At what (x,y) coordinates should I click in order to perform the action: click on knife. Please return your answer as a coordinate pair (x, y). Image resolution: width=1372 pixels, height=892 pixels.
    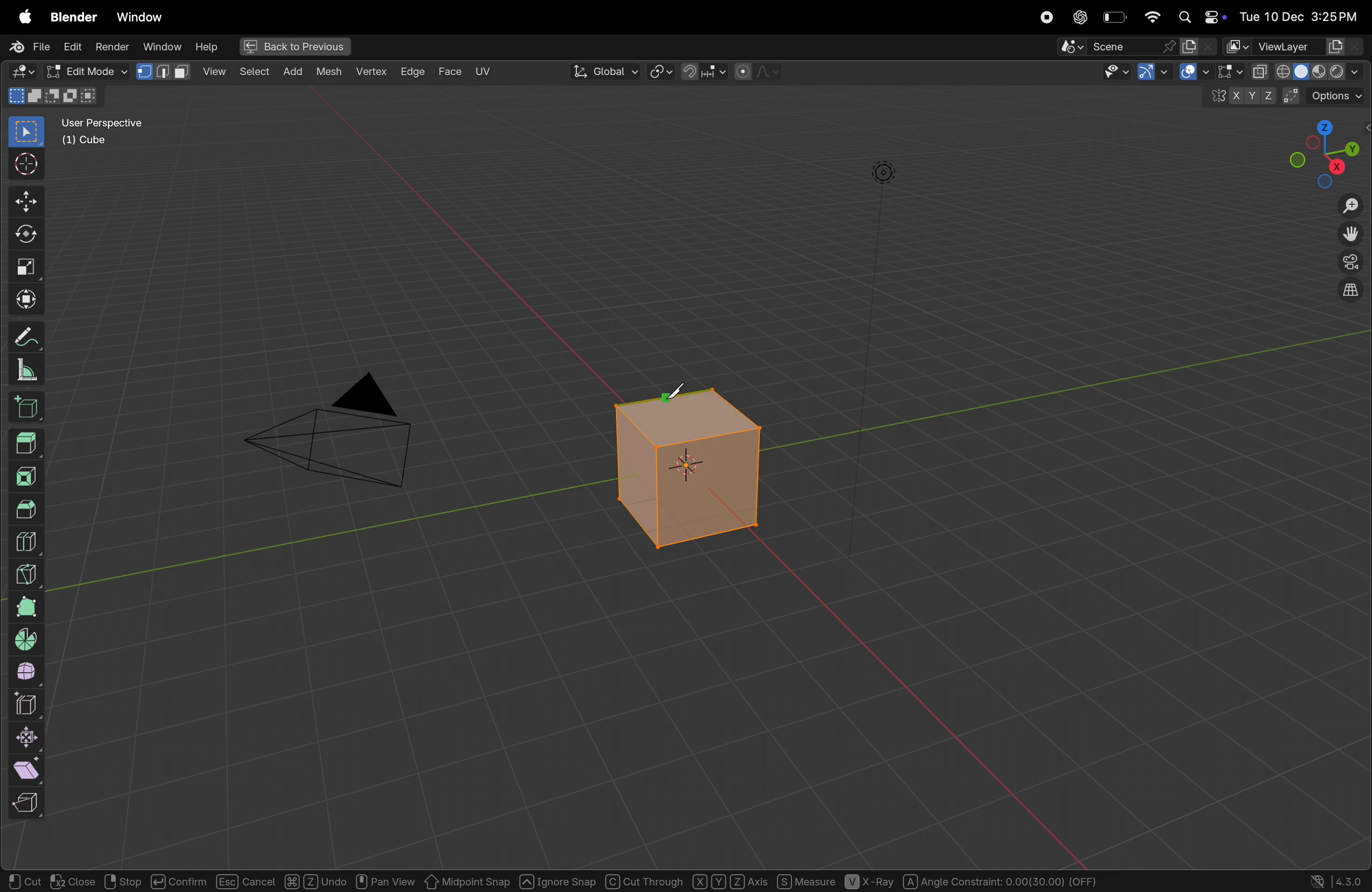
    Looking at the image, I should click on (677, 391).